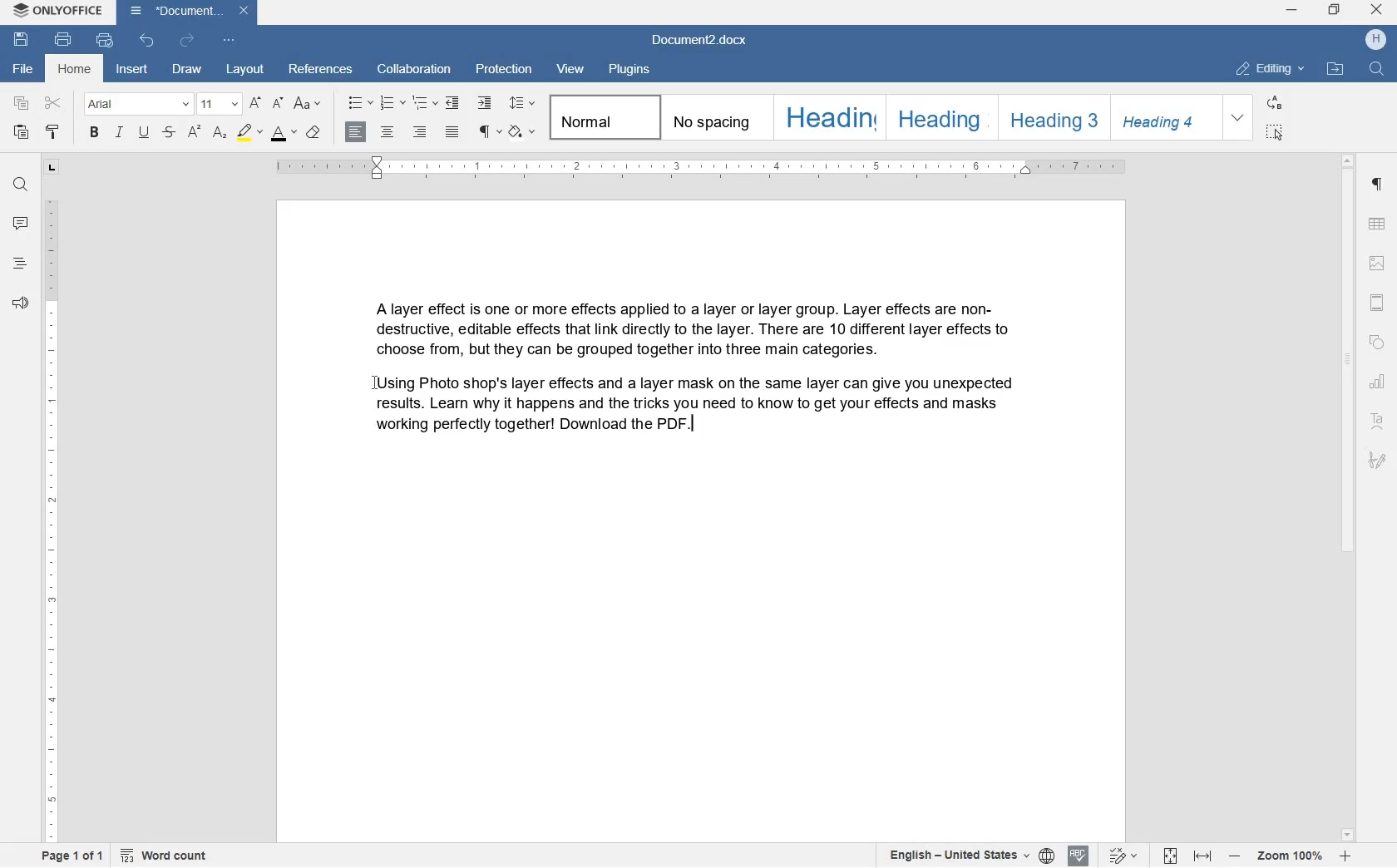 This screenshot has height=868, width=1397. I want to click on HEADING , so click(938, 118).